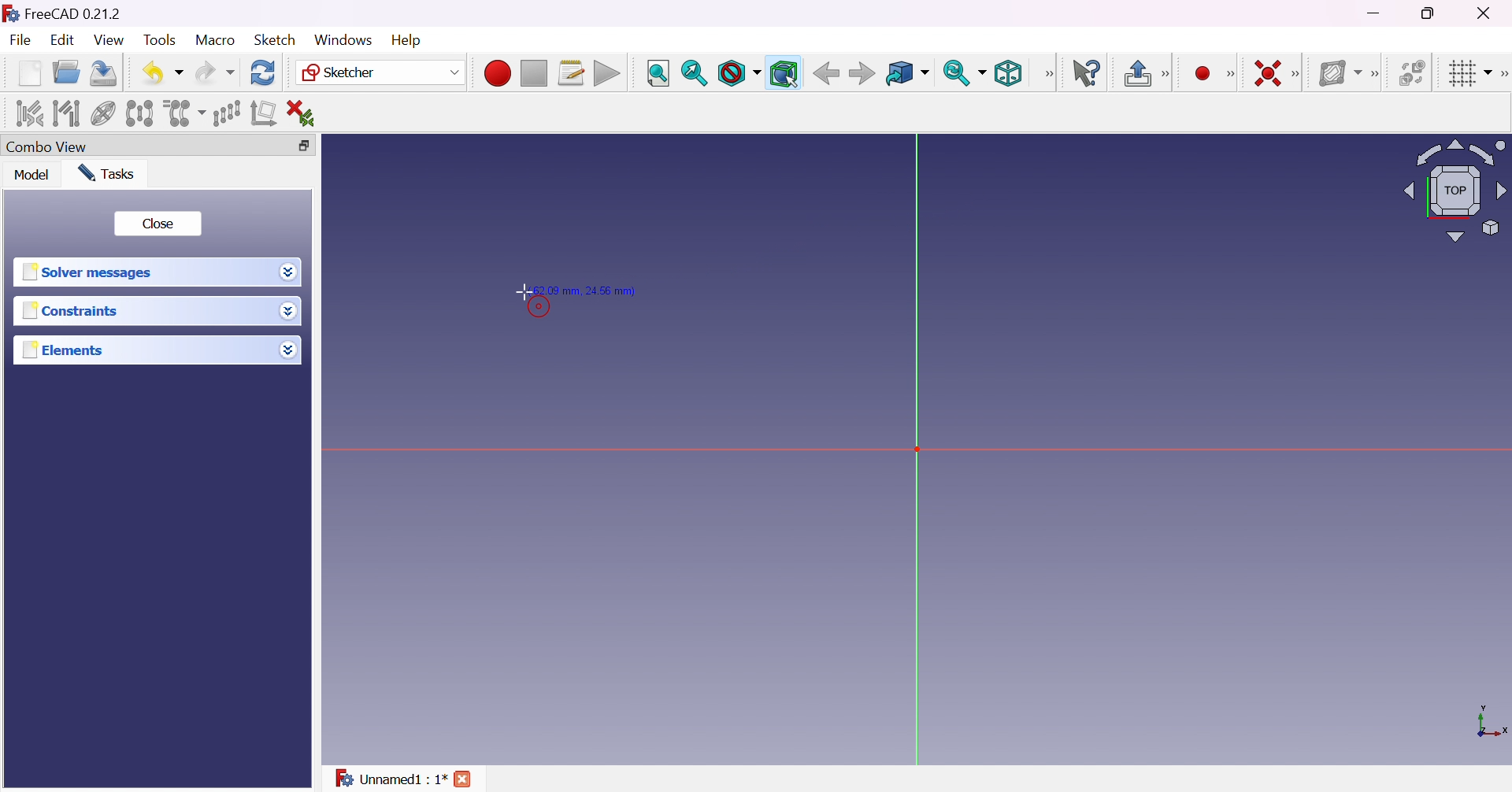  Describe the element at coordinates (826, 72) in the screenshot. I see `Back` at that location.